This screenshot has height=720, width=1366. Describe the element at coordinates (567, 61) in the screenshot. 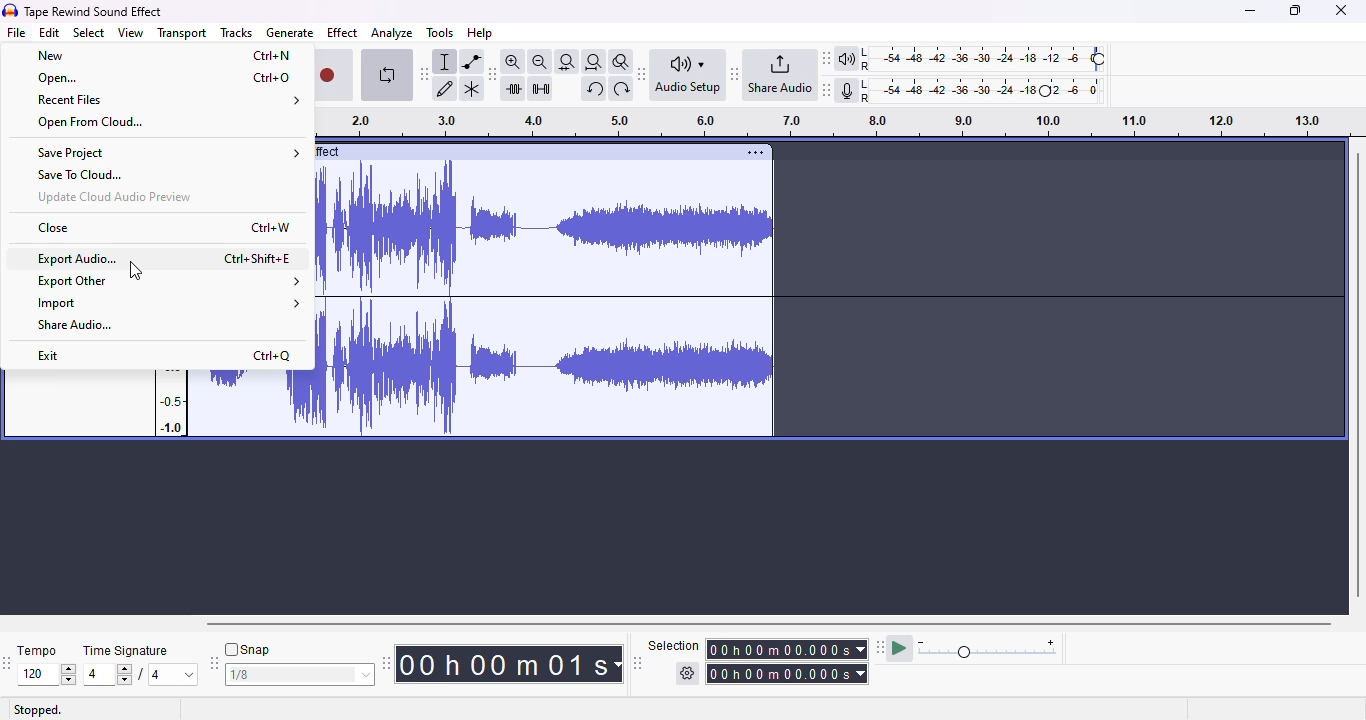

I see `fit selection to width` at that location.